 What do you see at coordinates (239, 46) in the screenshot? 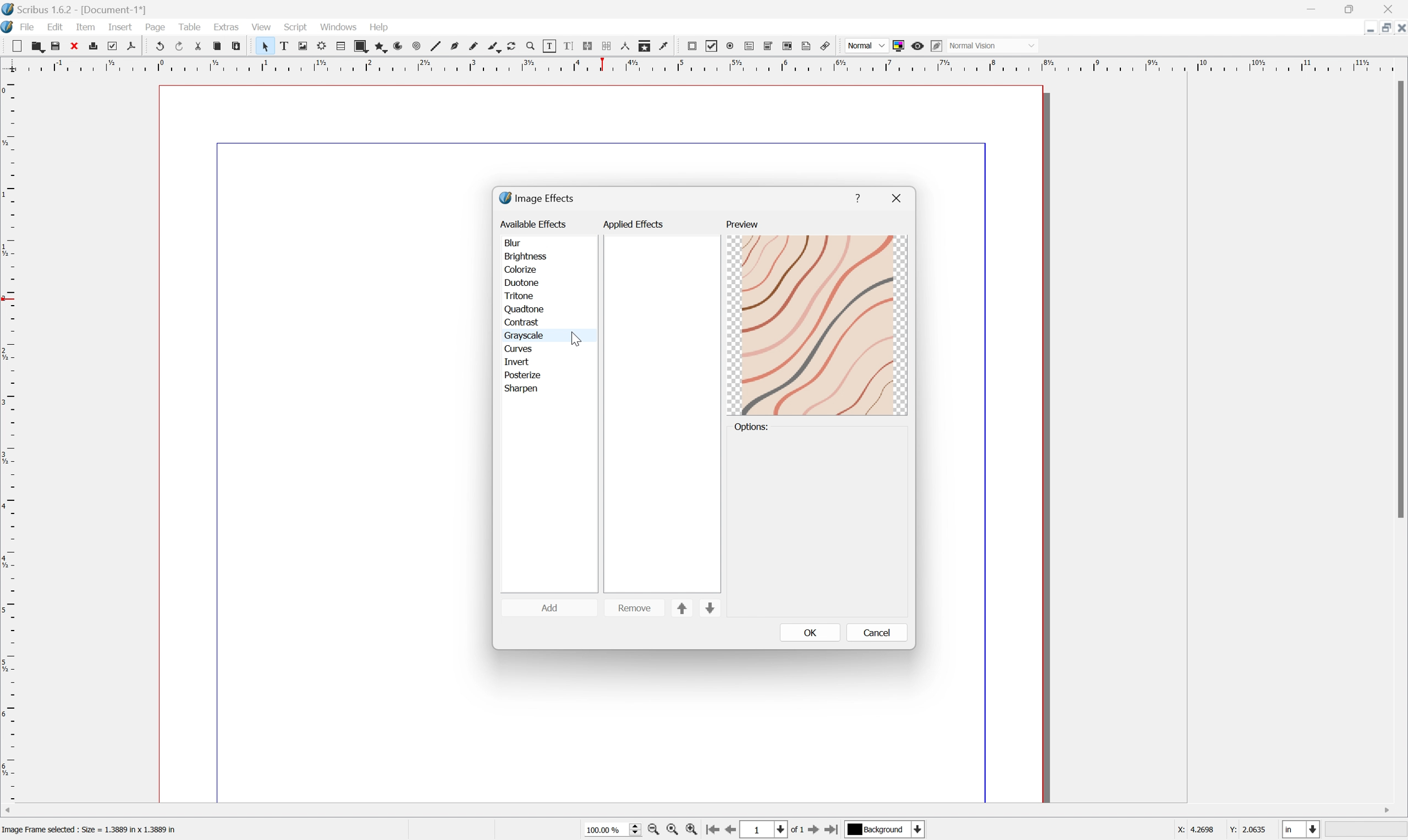
I see `Paste` at bounding box center [239, 46].